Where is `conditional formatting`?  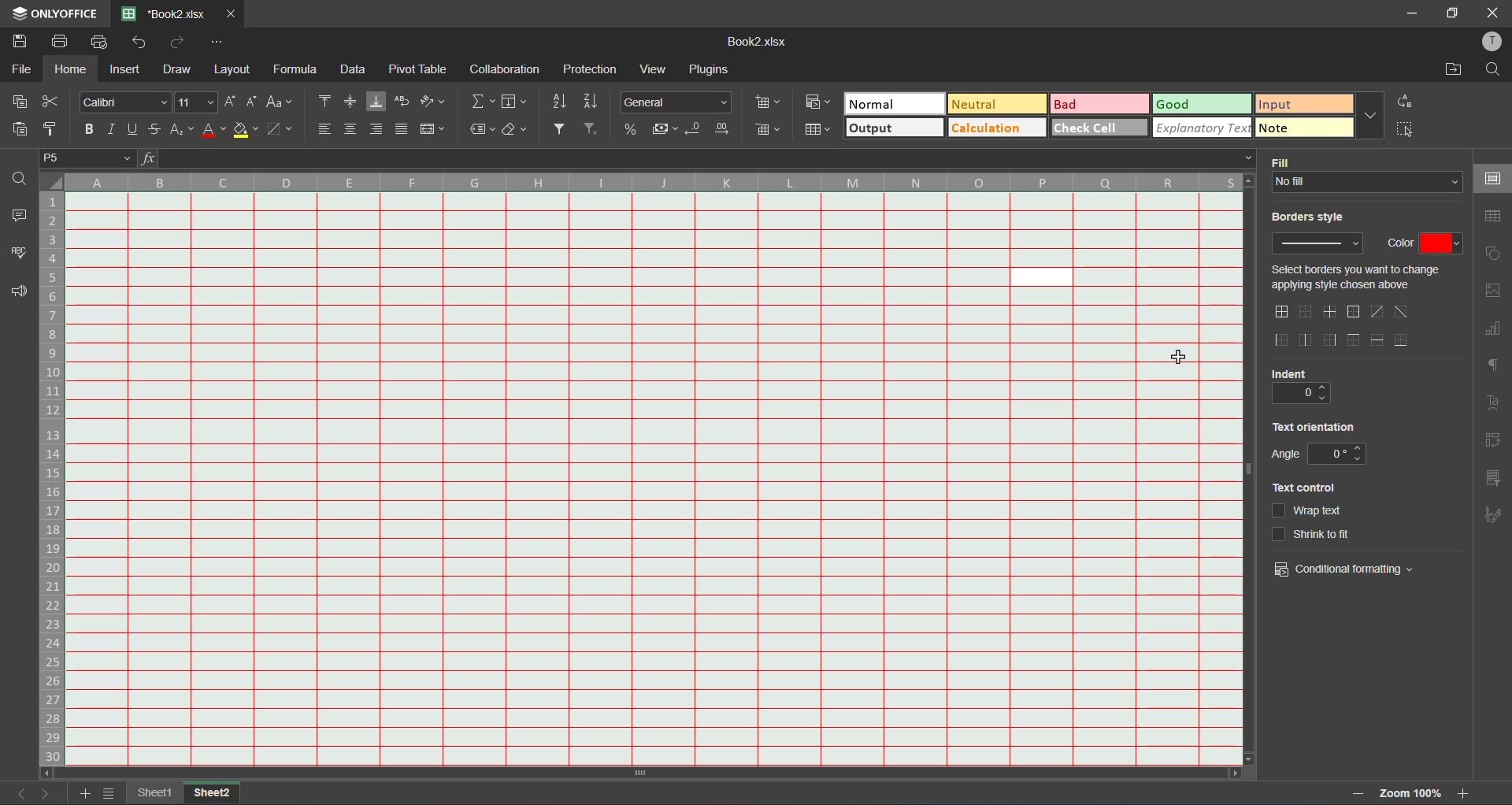
conditional formatting is located at coordinates (1345, 569).